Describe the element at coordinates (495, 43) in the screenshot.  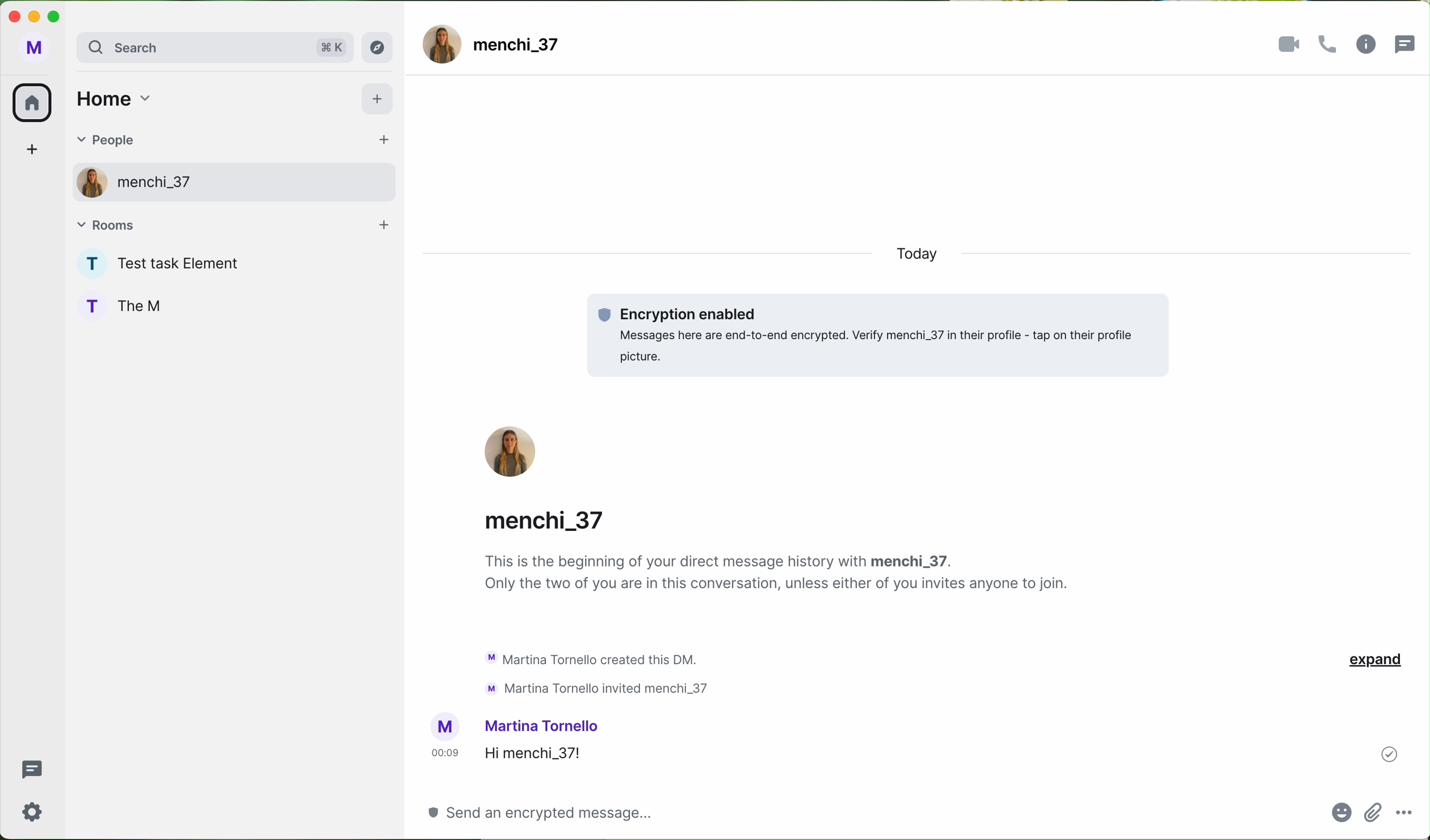
I see `user name` at that location.